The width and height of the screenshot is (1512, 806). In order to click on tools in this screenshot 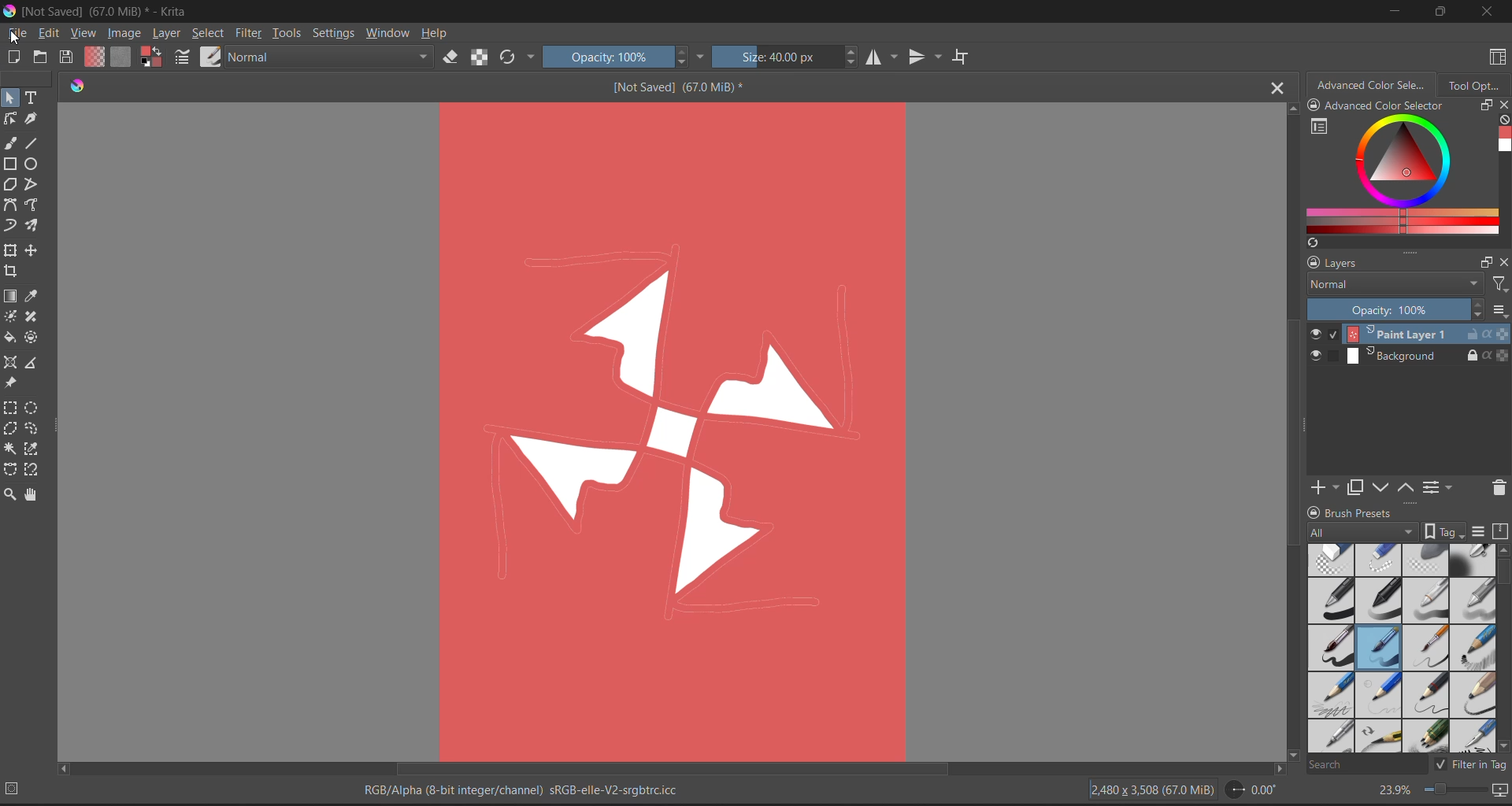, I will do `click(35, 186)`.